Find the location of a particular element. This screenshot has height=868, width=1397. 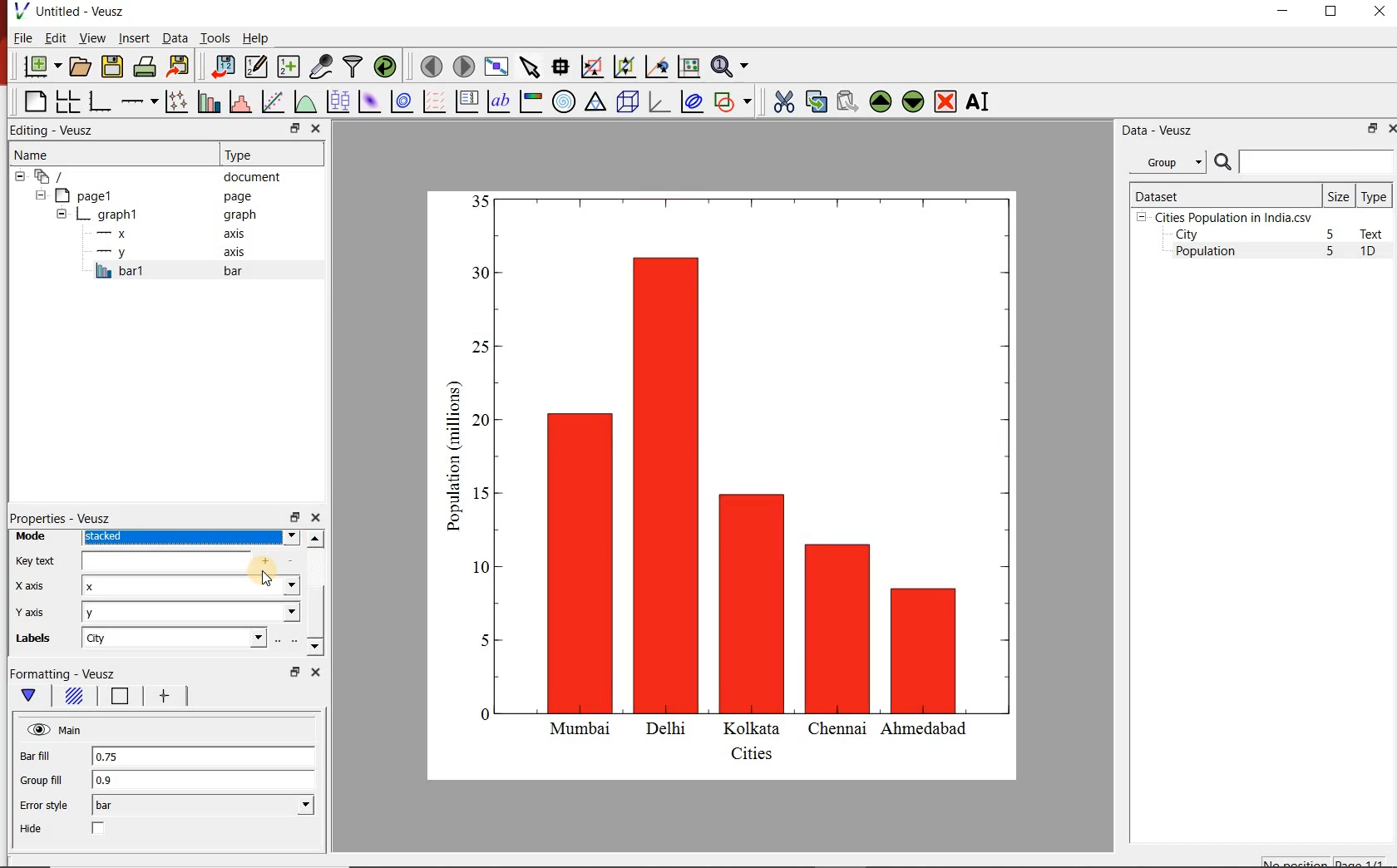

Size is located at coordinates (1339, 195).